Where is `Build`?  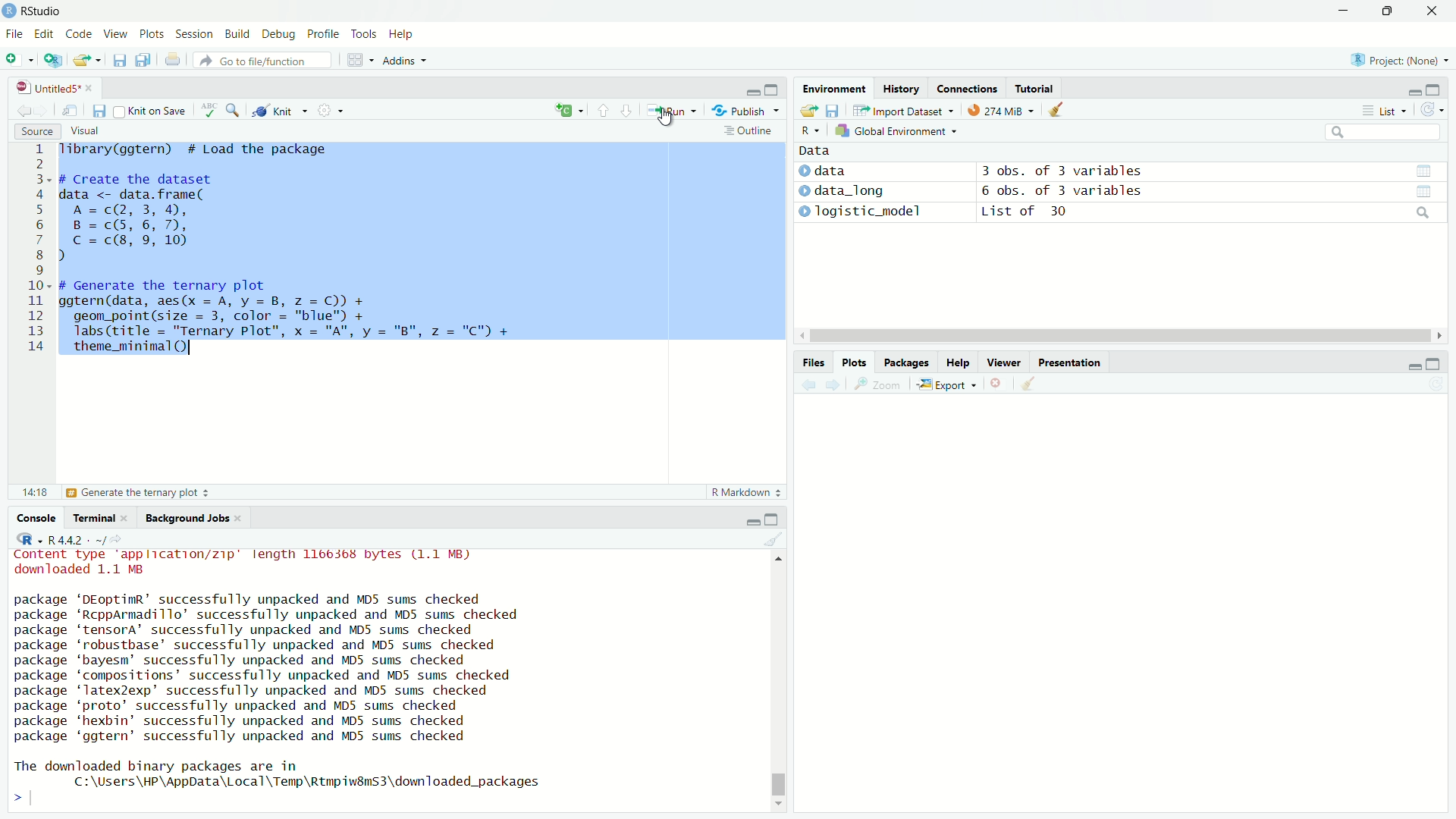 Build is located at coordinates (234, 33).